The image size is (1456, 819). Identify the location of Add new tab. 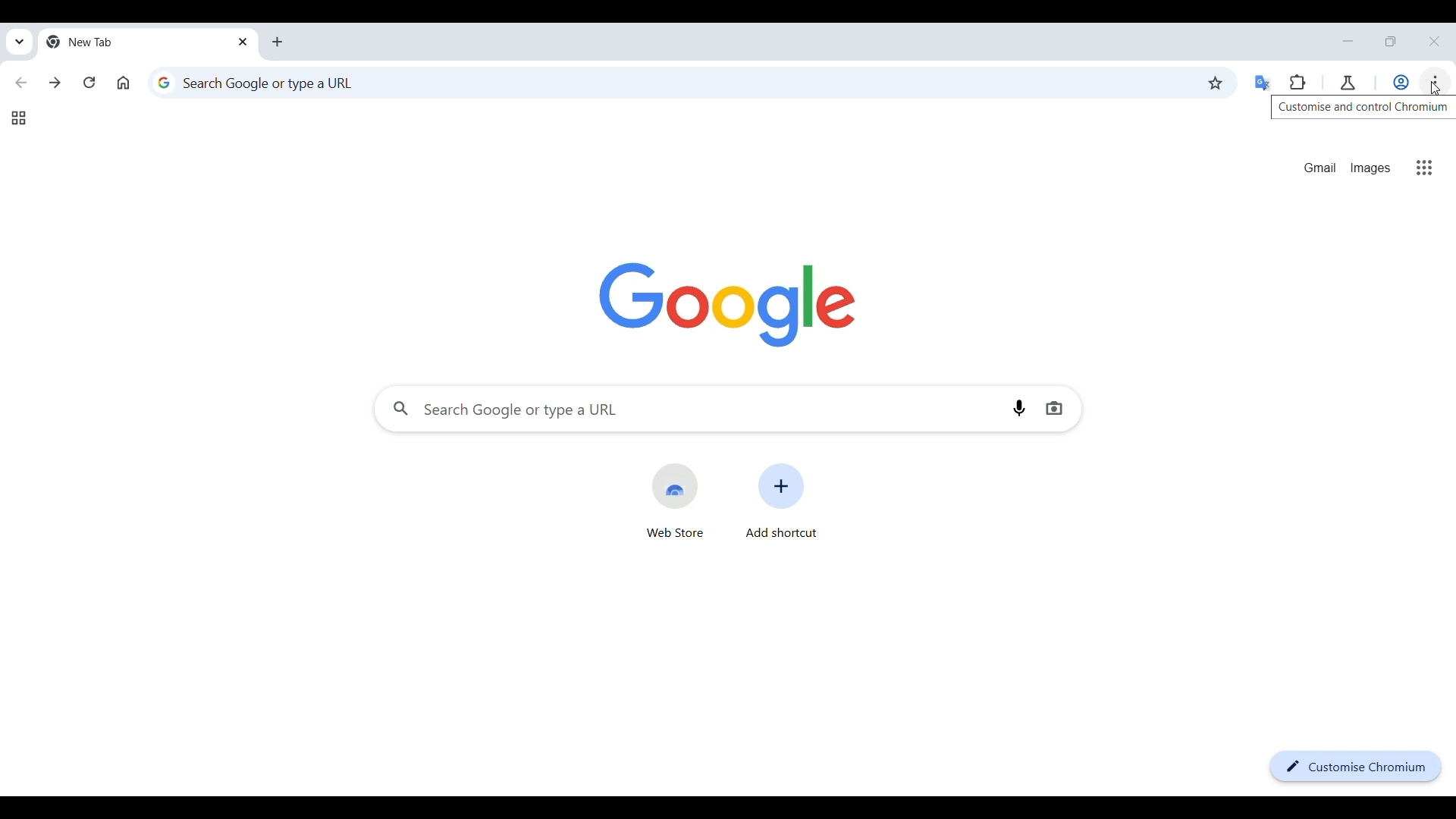
(278, 42).